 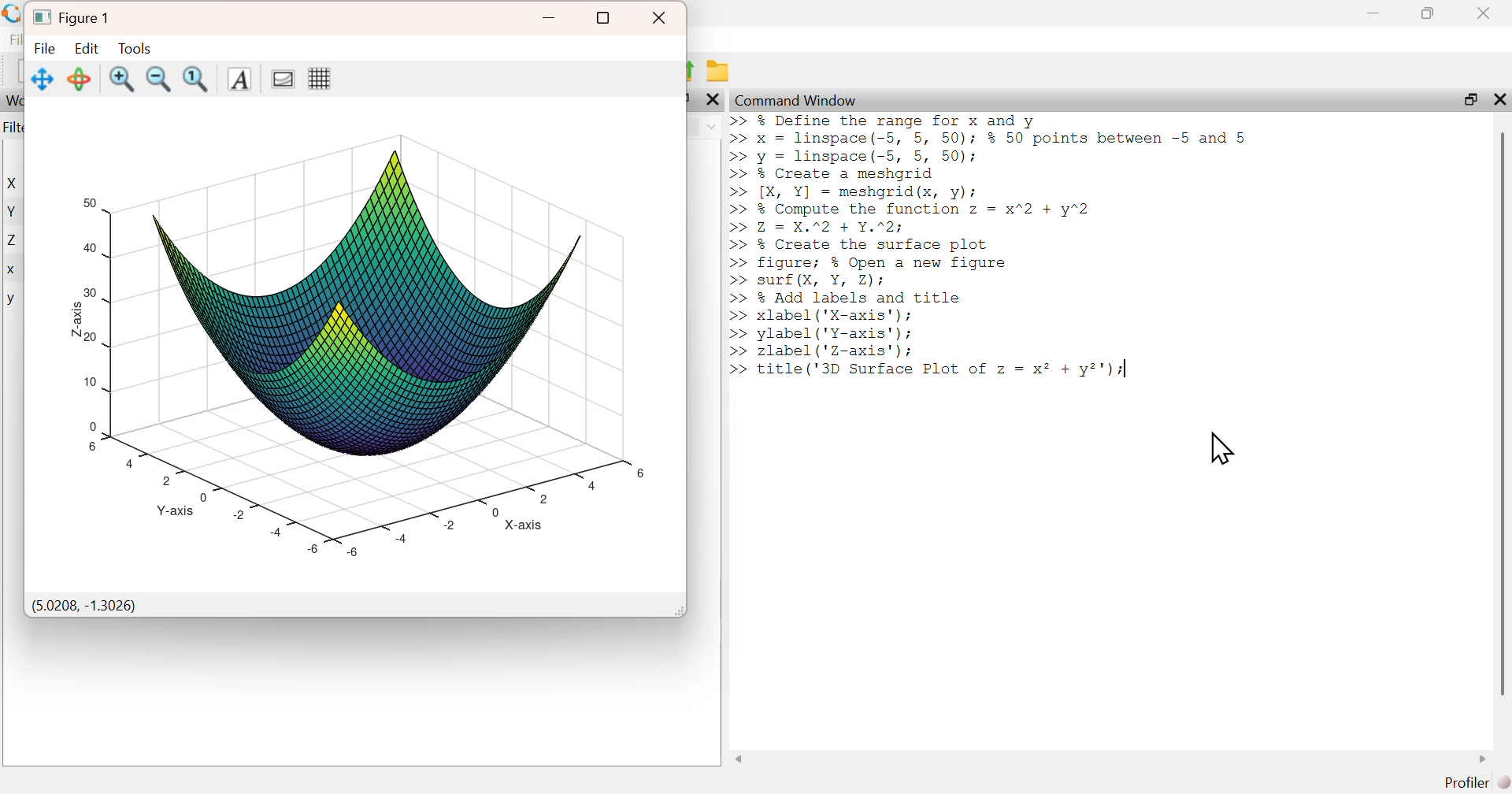 I want to click on x, so click(x=13, y=271).